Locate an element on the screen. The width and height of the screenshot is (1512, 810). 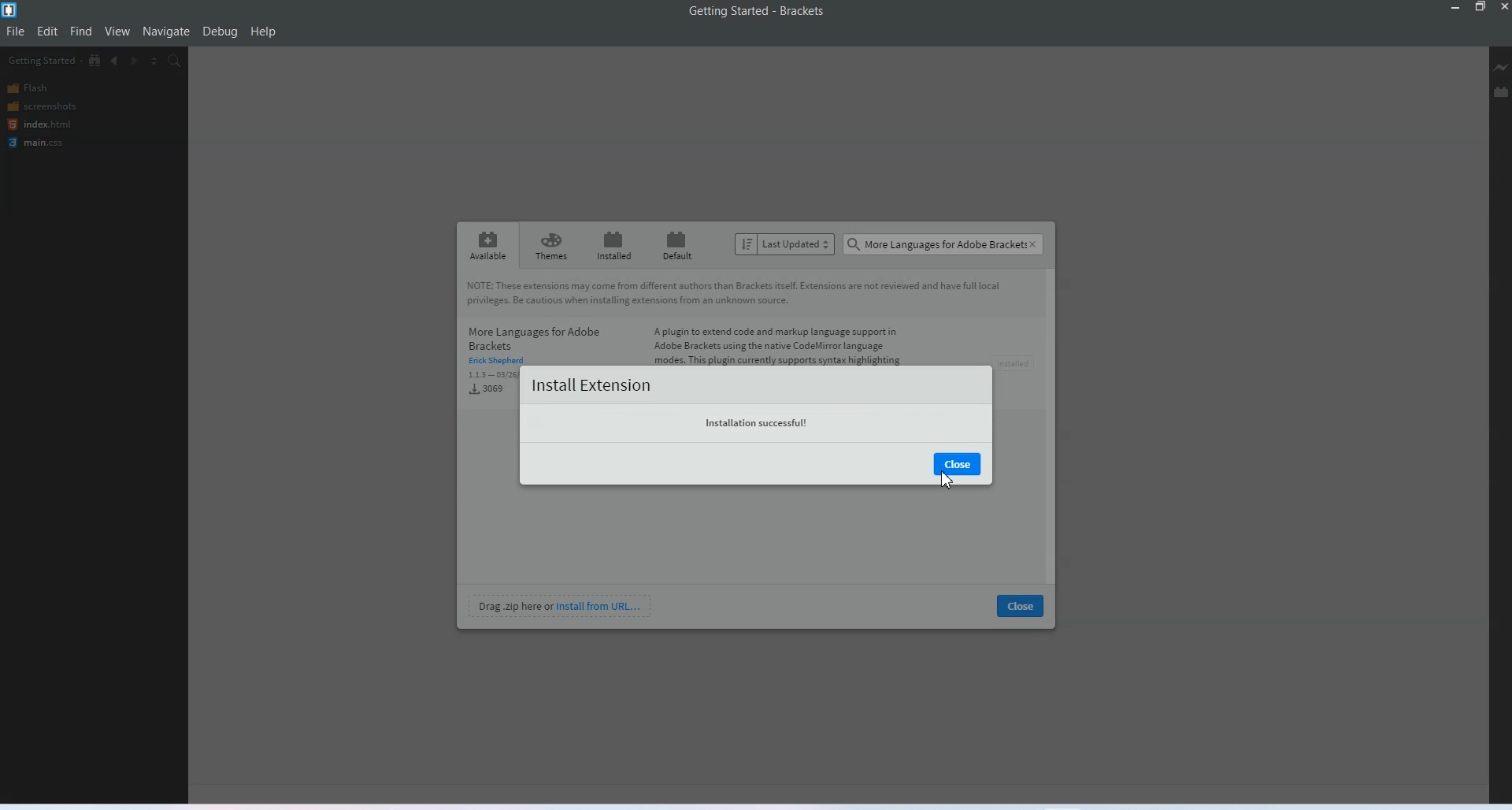
Main css is located at coordinates (55, 144).